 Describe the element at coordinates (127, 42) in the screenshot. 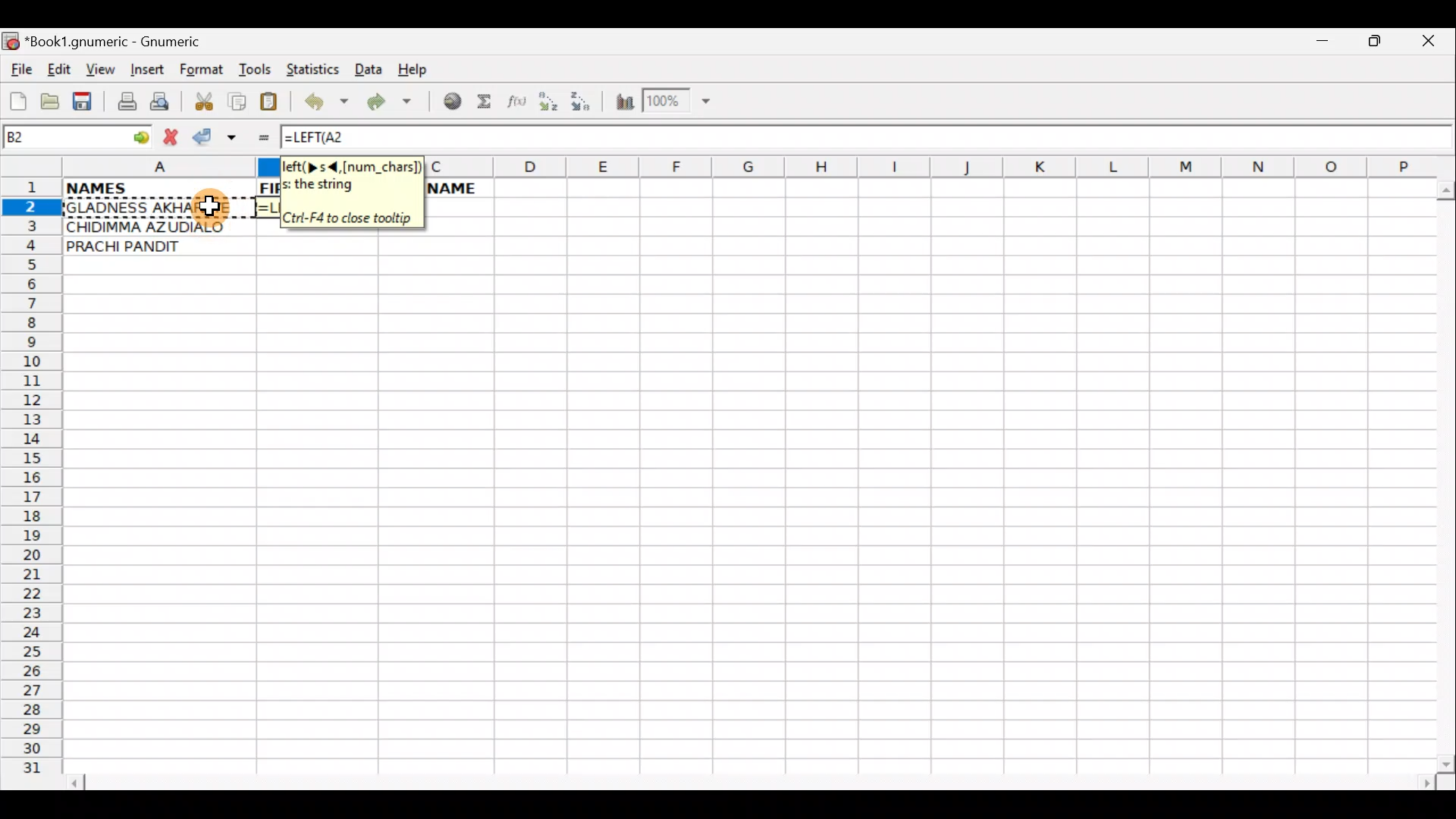

I see `*Book1.gnumeric - Gnumeric` at that location.